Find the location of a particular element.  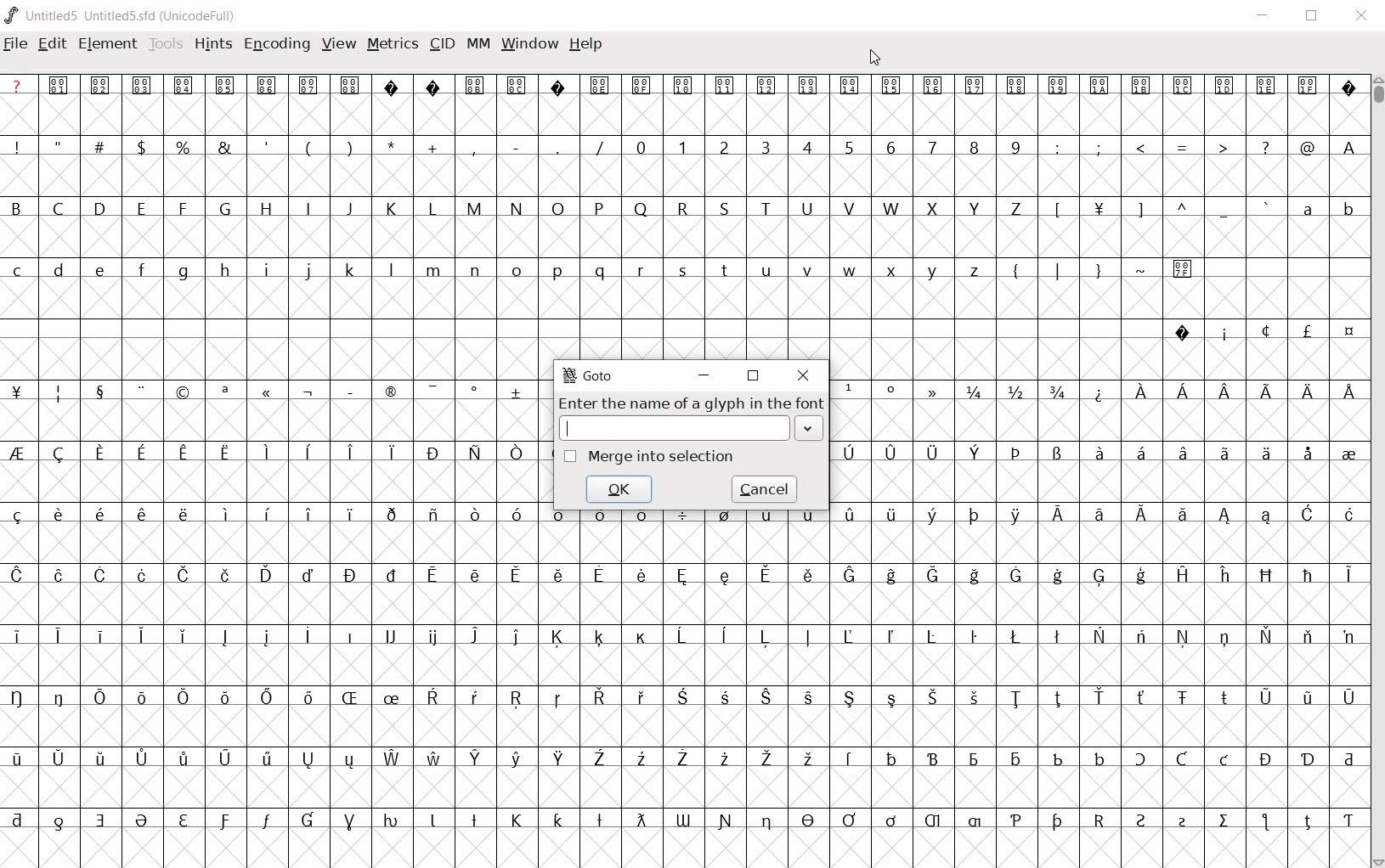

Symbol is located at coordinates (1180, 454).